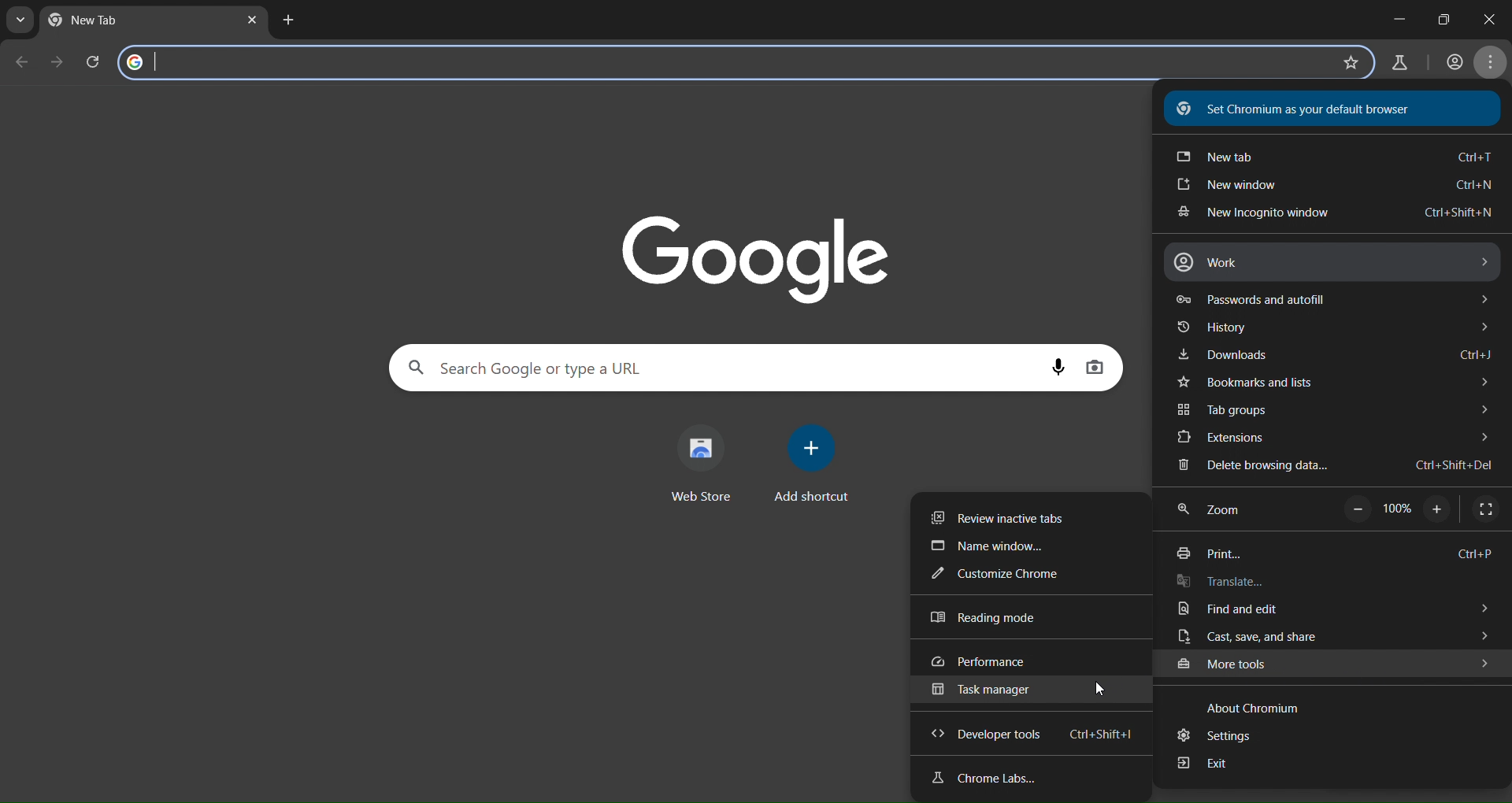 This screenshot has height=803, width=1512. Describe the element at coordinates (1335, 663) in the screenshot. I see `more tools` at that location.